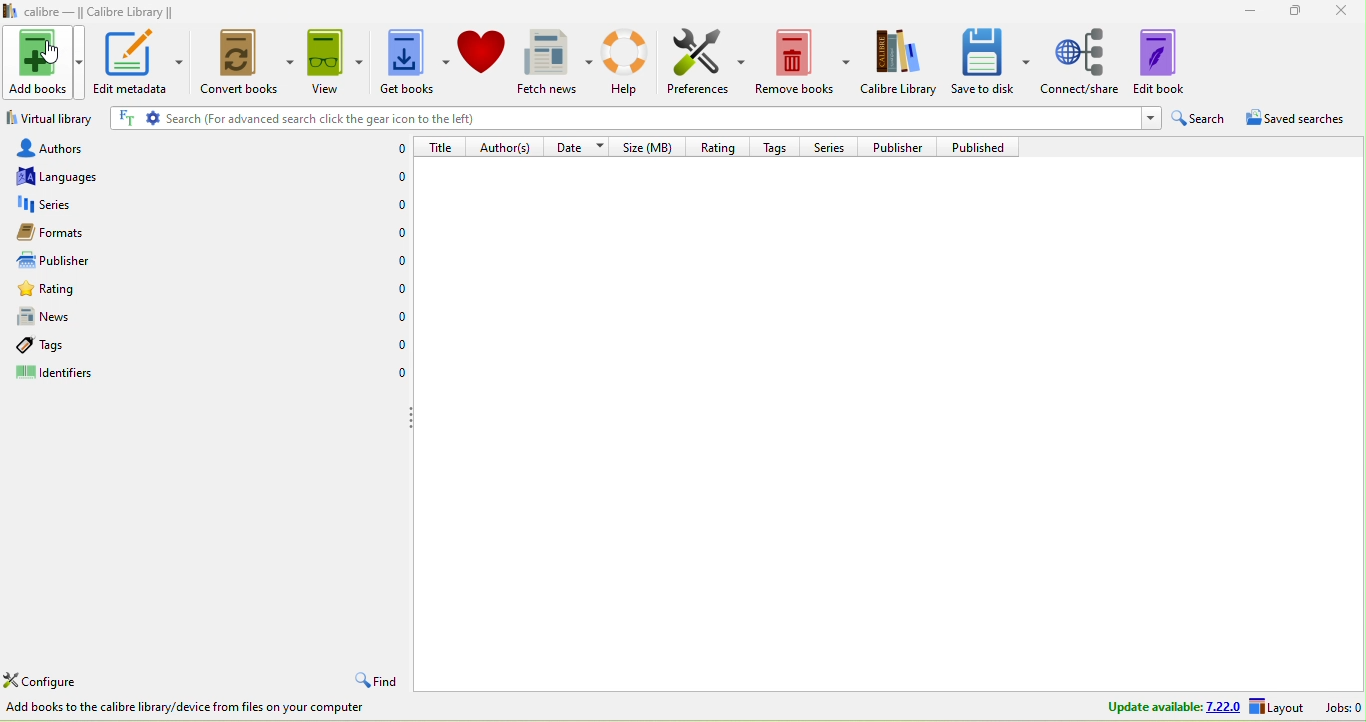 The image size is (1366, 722). Describe the element at coordinates (834, 147) in the screenshot. I see `series` at that location.